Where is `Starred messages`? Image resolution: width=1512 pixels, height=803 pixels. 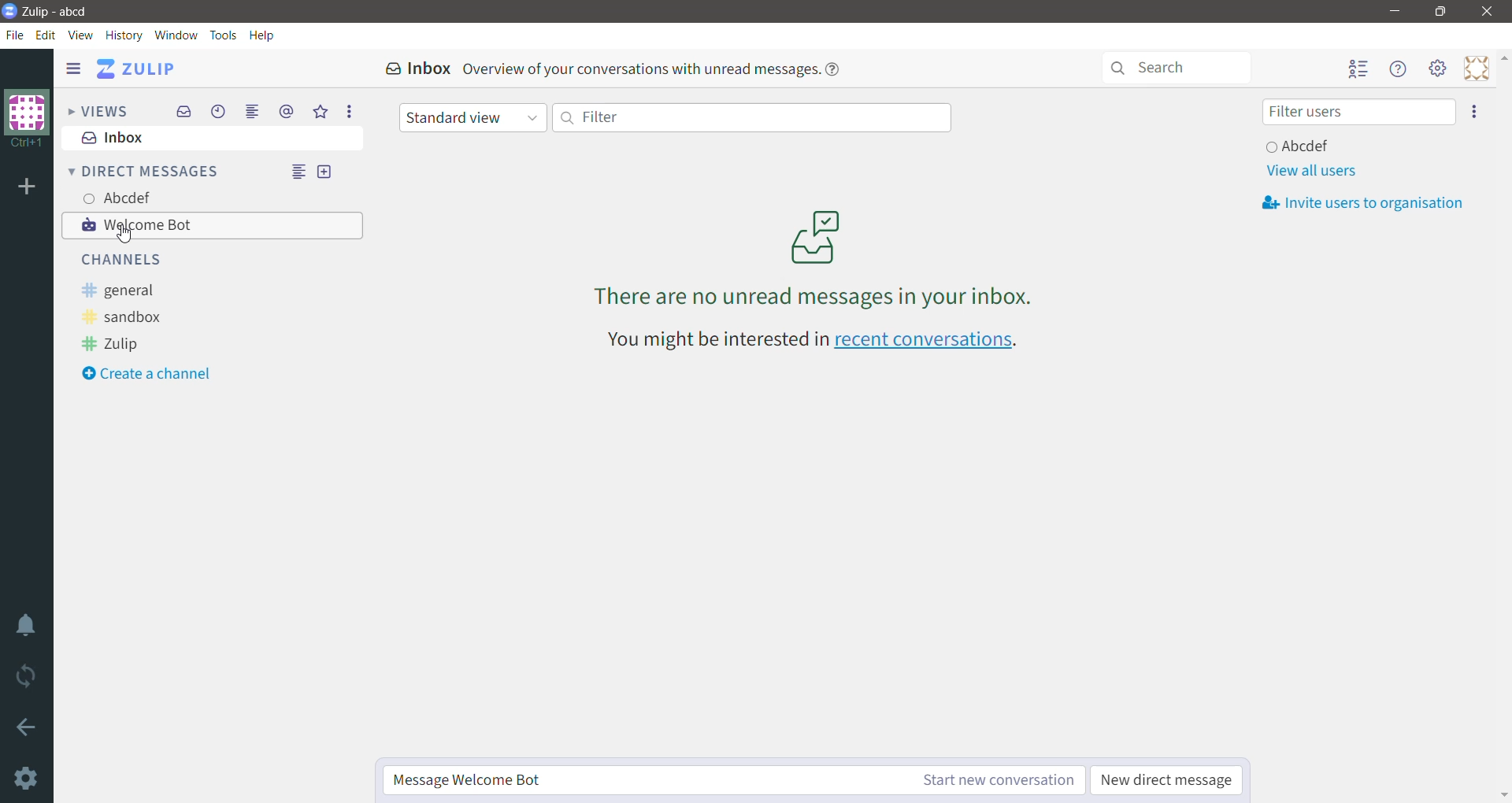 Starred messages is located at coordinates (323, 111).